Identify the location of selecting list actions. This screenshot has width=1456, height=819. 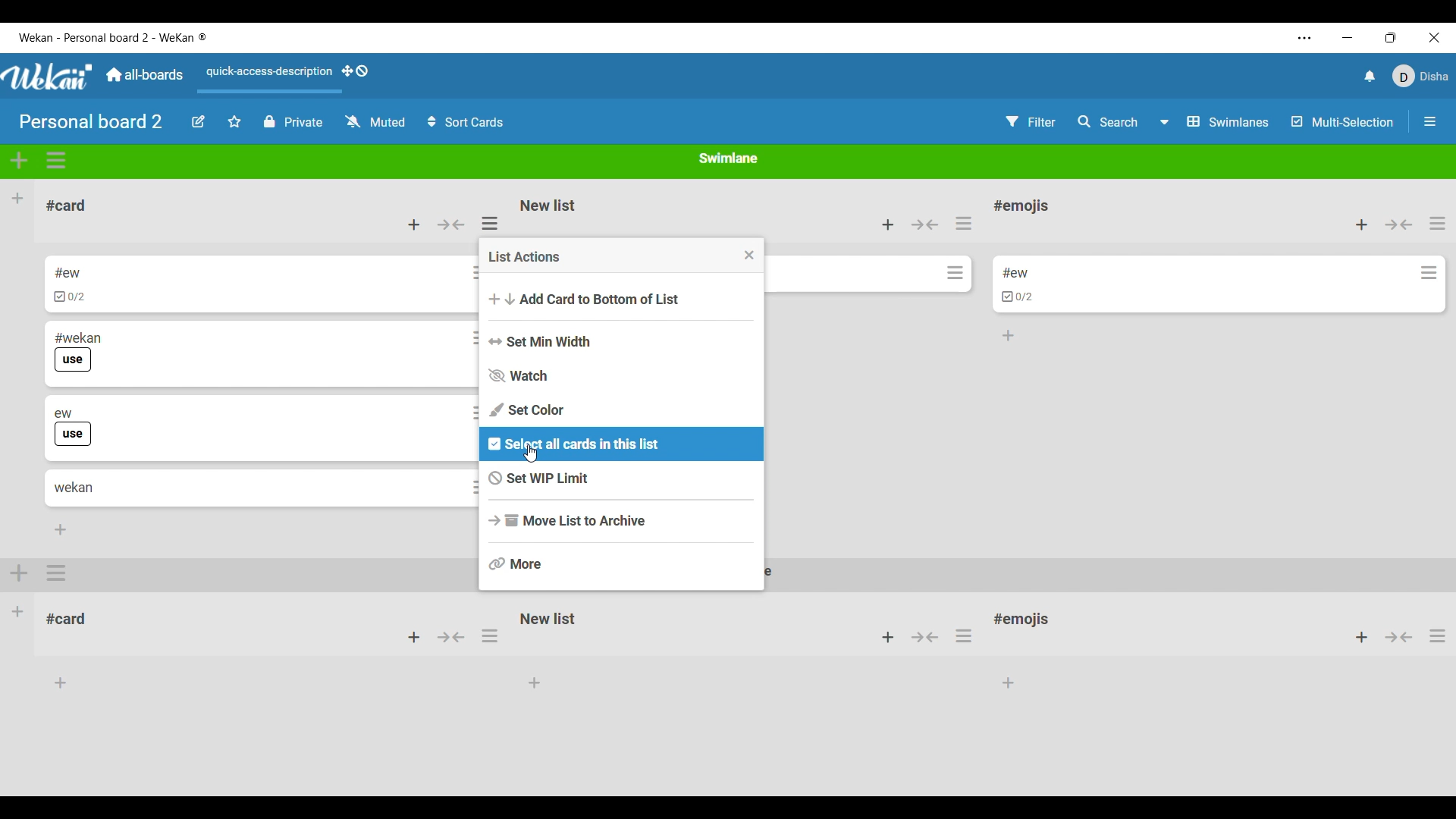
(495, 221).